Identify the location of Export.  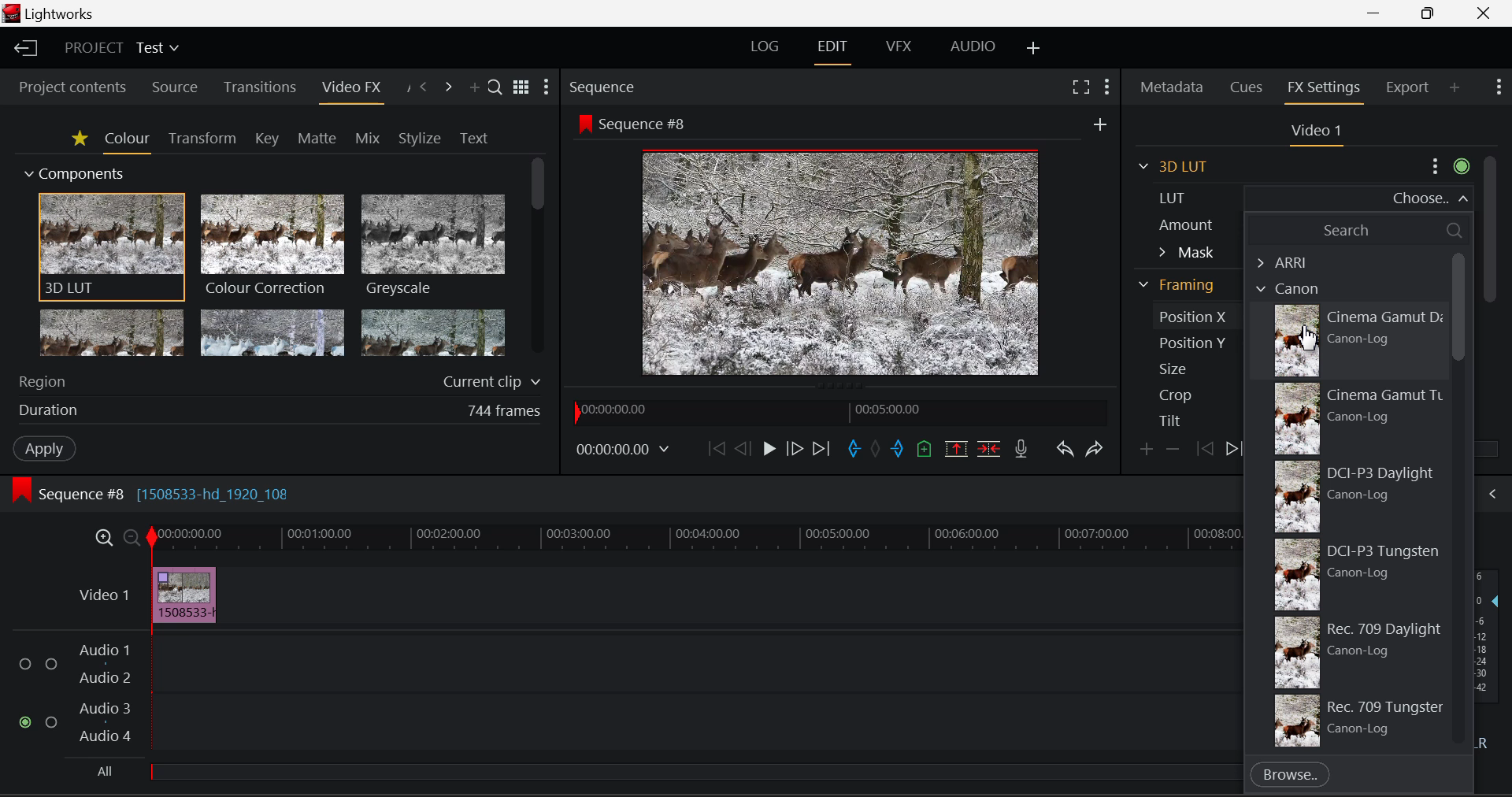
(1405, 90).